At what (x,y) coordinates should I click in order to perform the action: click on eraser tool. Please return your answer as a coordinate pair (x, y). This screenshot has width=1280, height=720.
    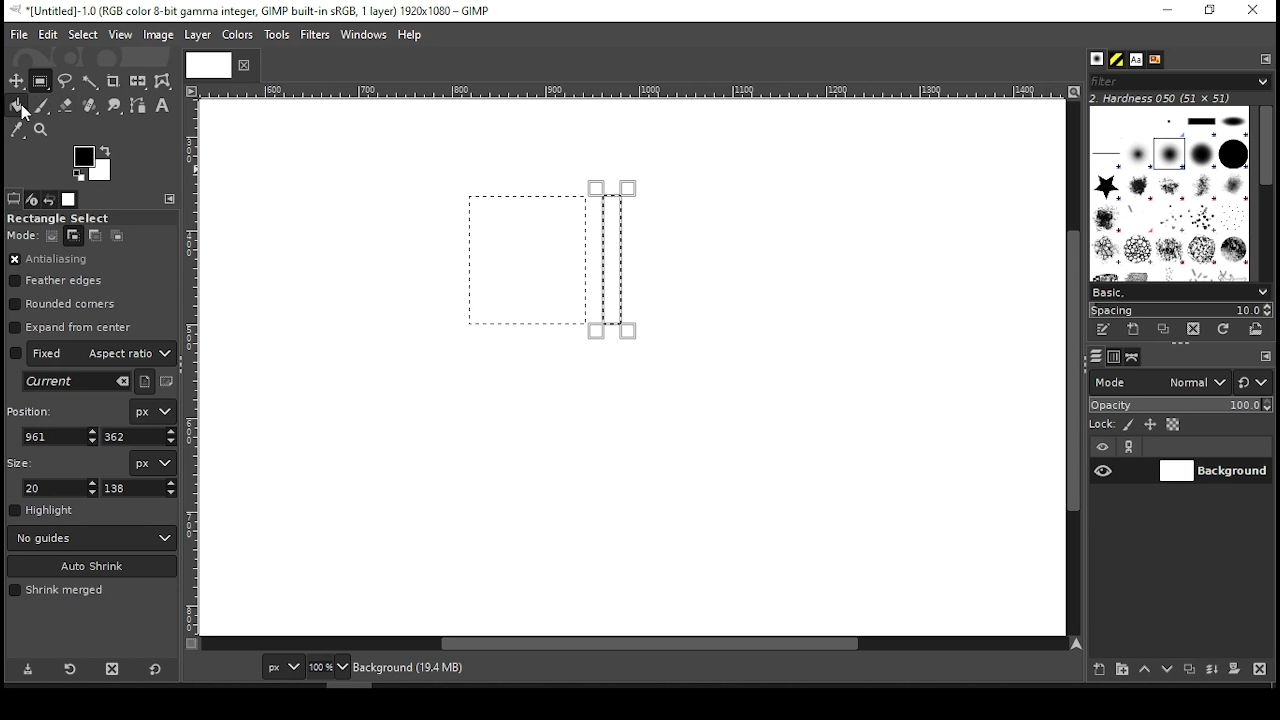
    Looking at the image, I should click on (65, 105).